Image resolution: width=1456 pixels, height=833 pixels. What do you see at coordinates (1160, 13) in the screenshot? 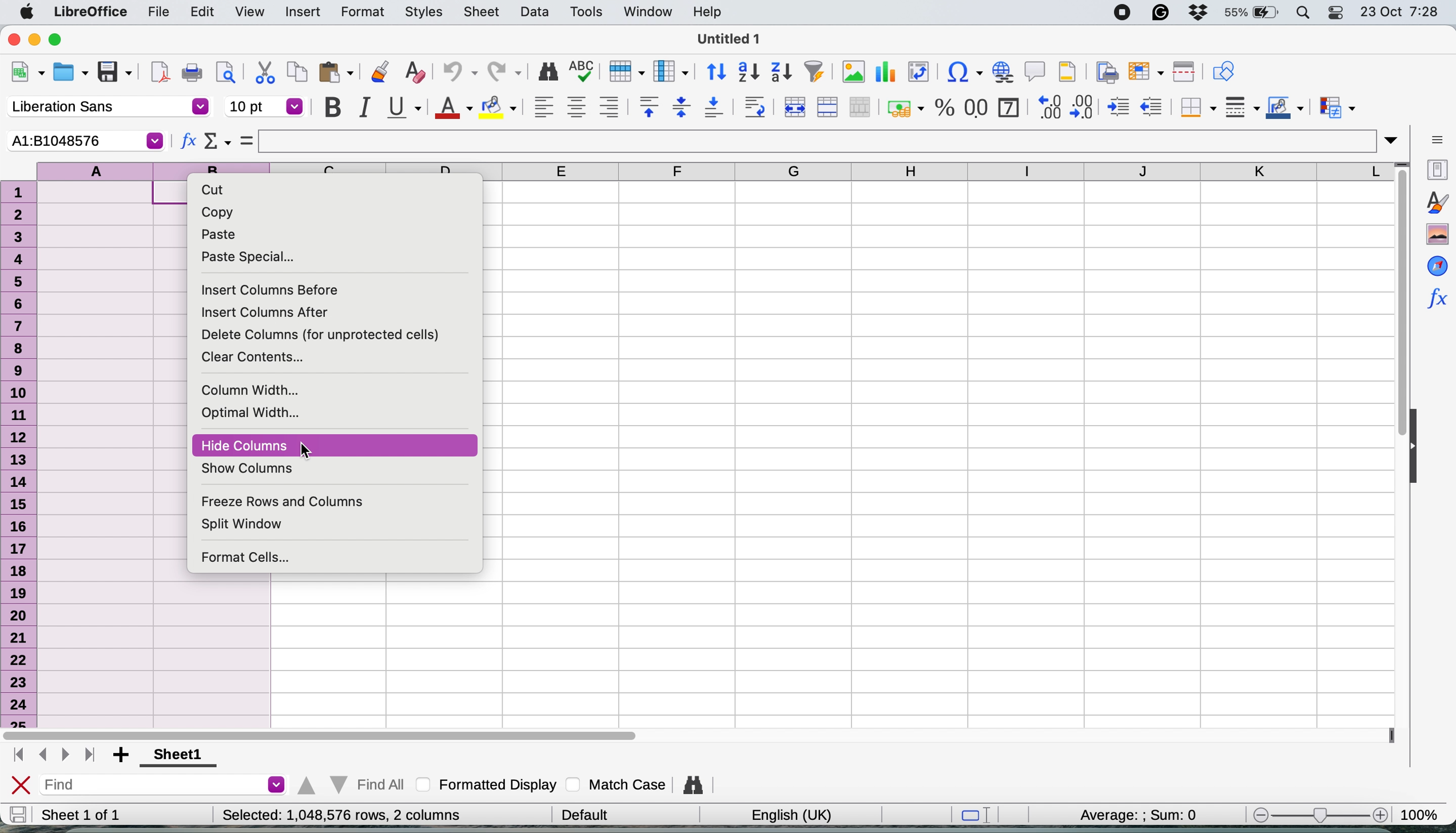
I see `grammarly` at bounding box center [1160, 13].